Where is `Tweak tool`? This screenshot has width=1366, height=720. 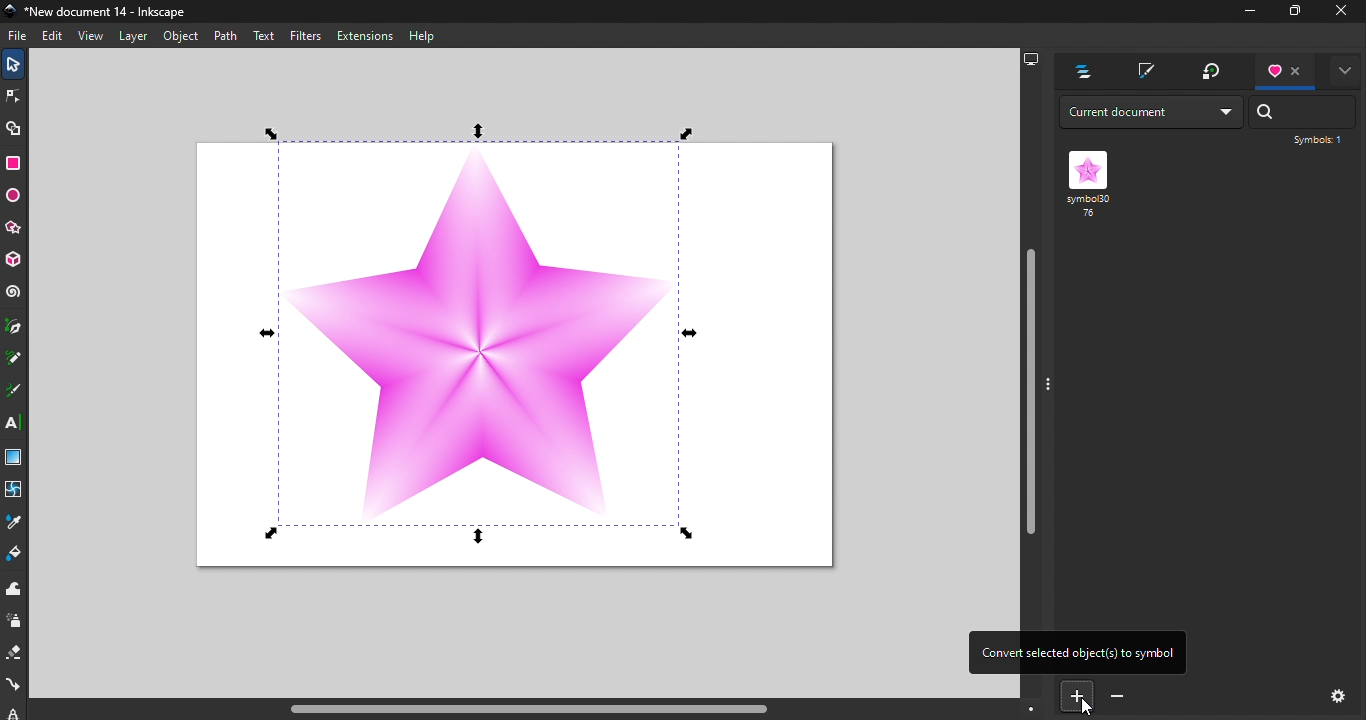 Tweak tool is located at coordinates (17, 587).